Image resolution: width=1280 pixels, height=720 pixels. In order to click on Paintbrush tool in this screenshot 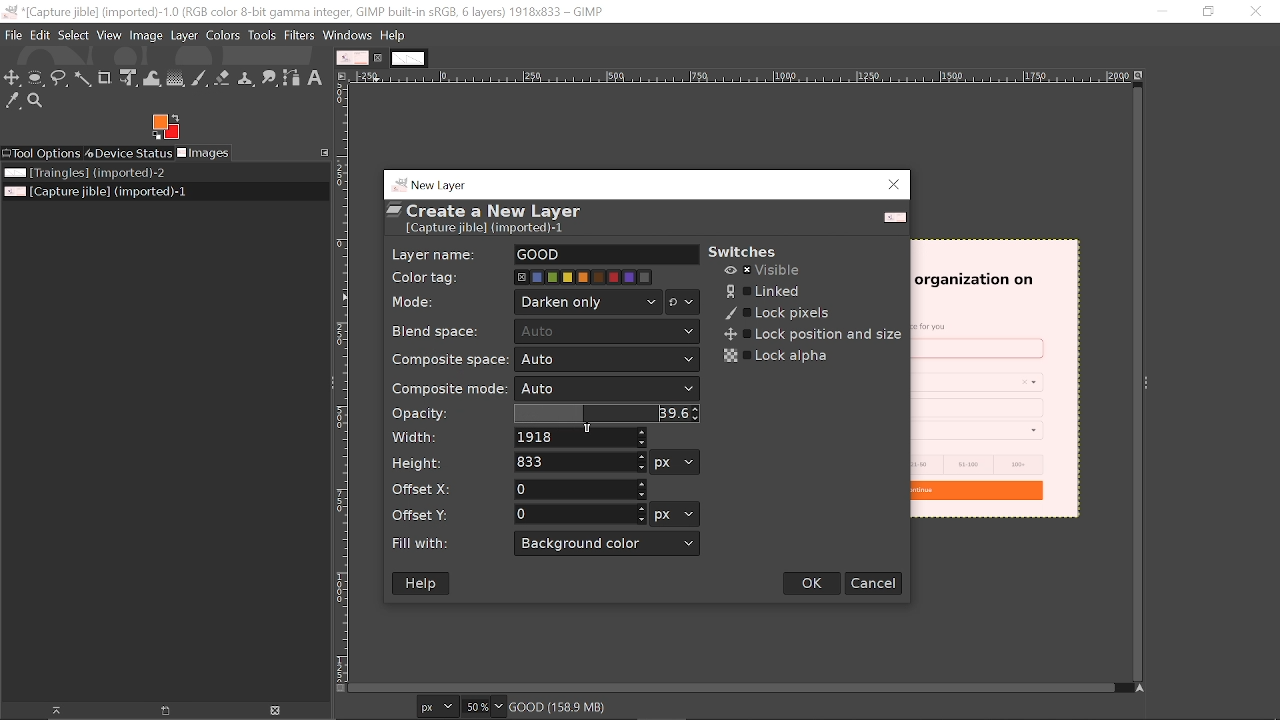, I will do `click(199, 79)`.